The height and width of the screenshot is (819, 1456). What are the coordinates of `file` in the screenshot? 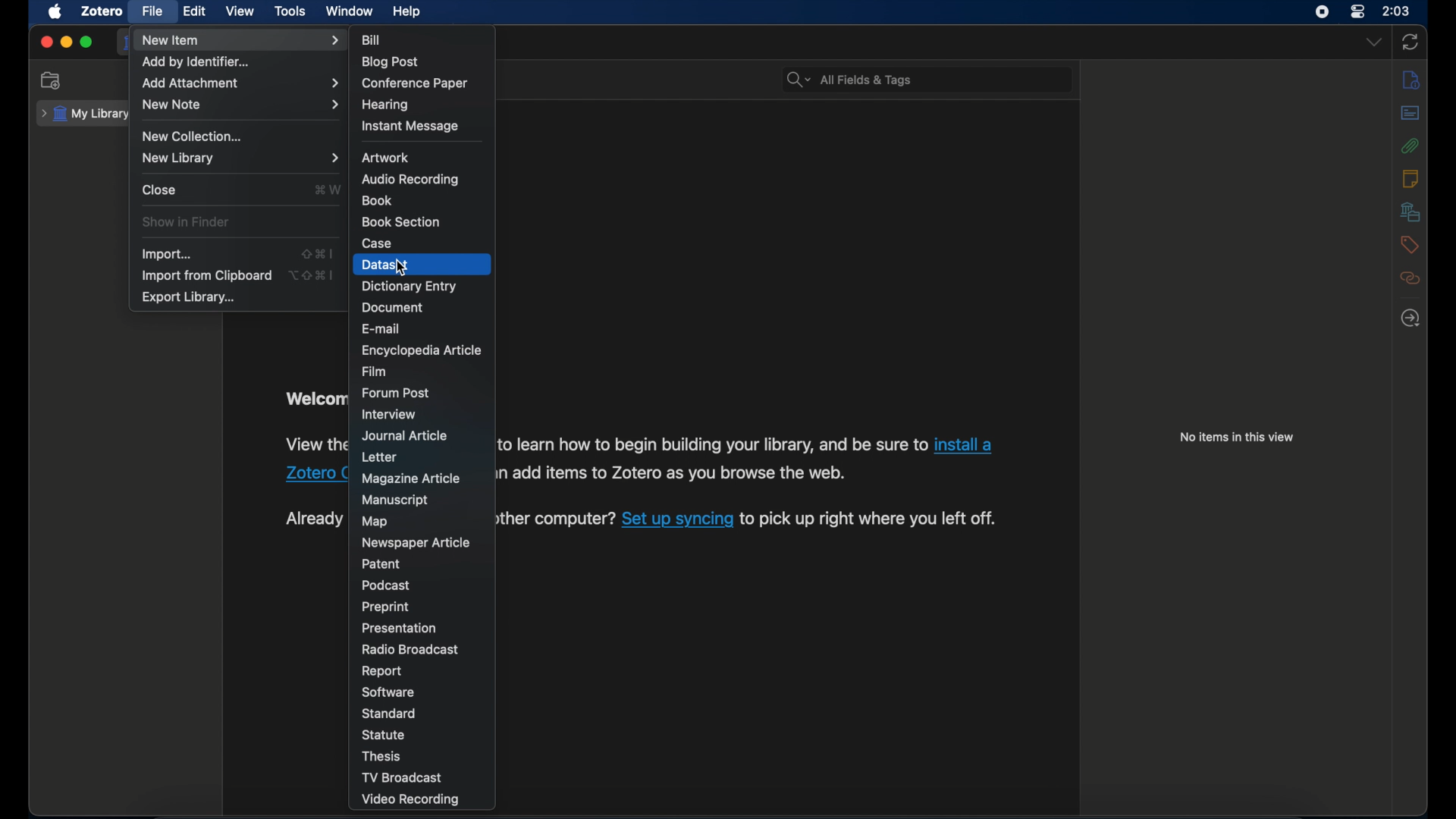 It's located at (152, 11).